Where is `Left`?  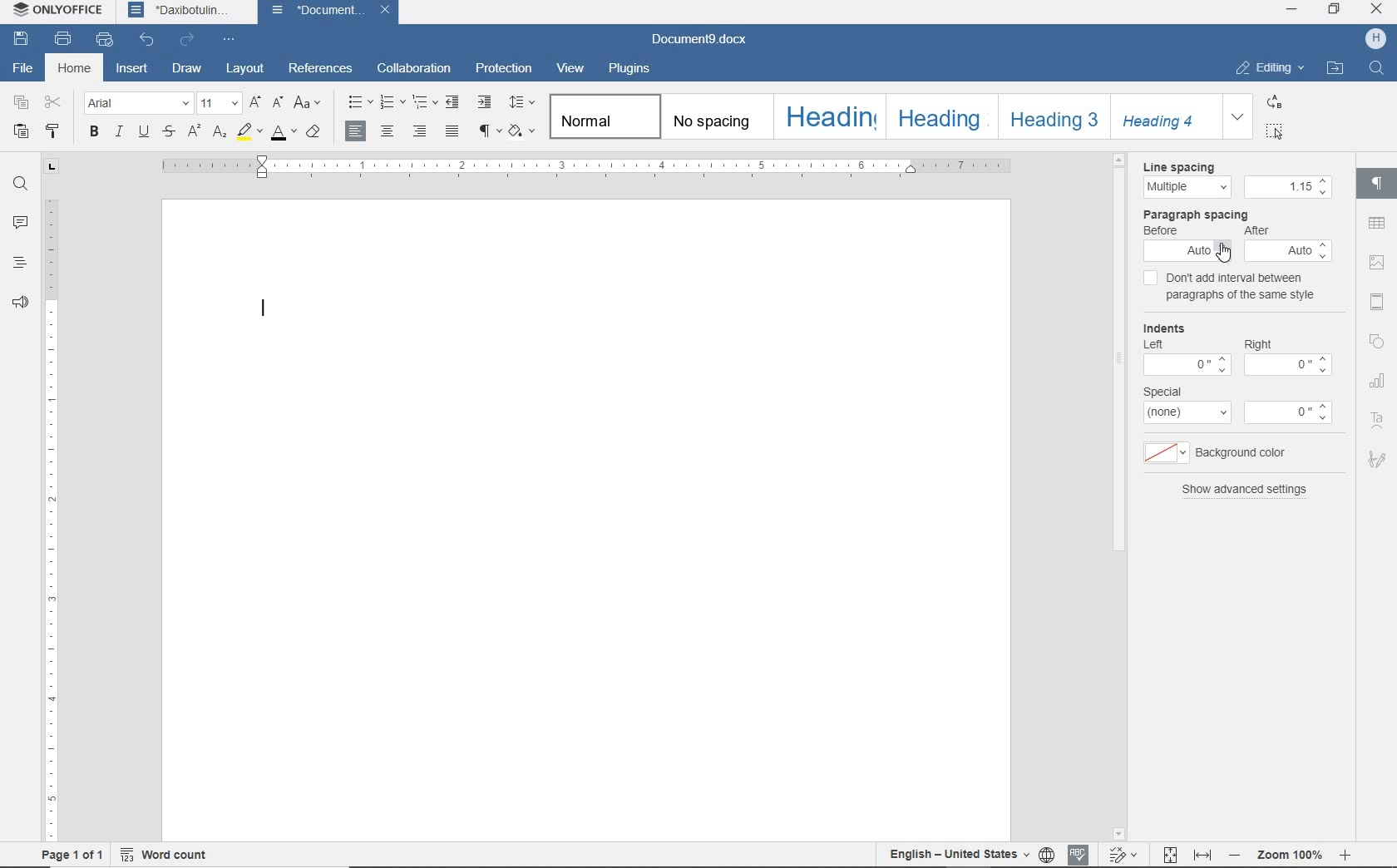
Left is located at coordinates (1153, 344).